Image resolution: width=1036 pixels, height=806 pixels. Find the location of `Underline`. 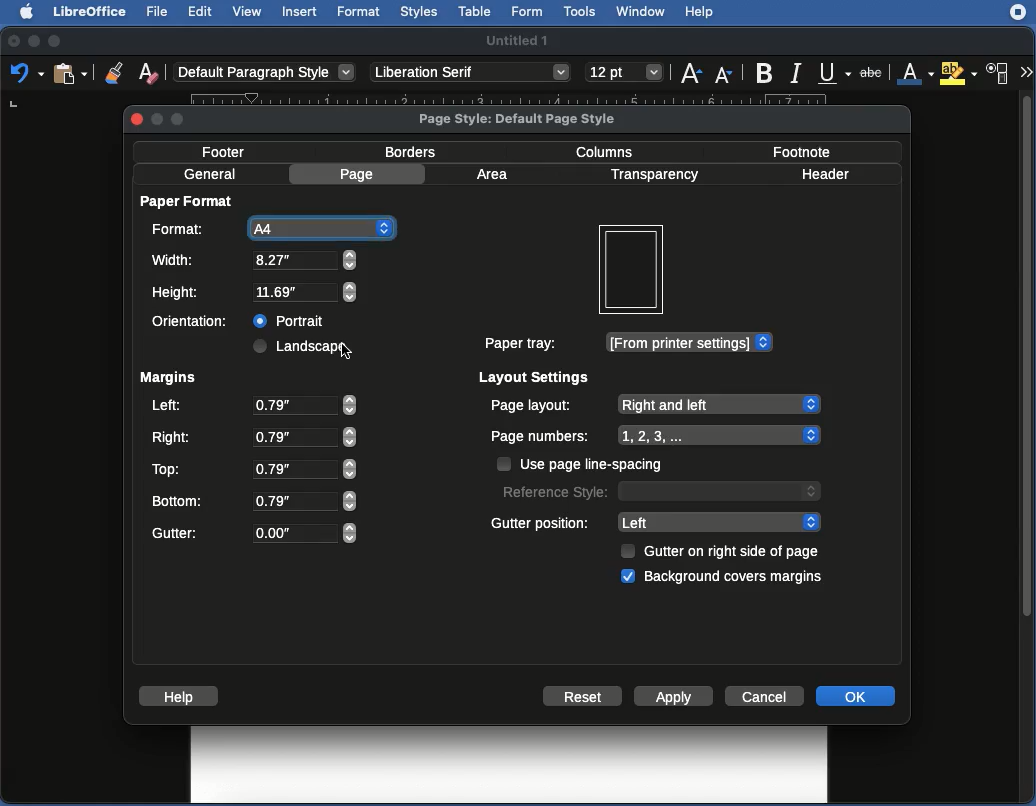

Underline is located at coordinates (831, 72).